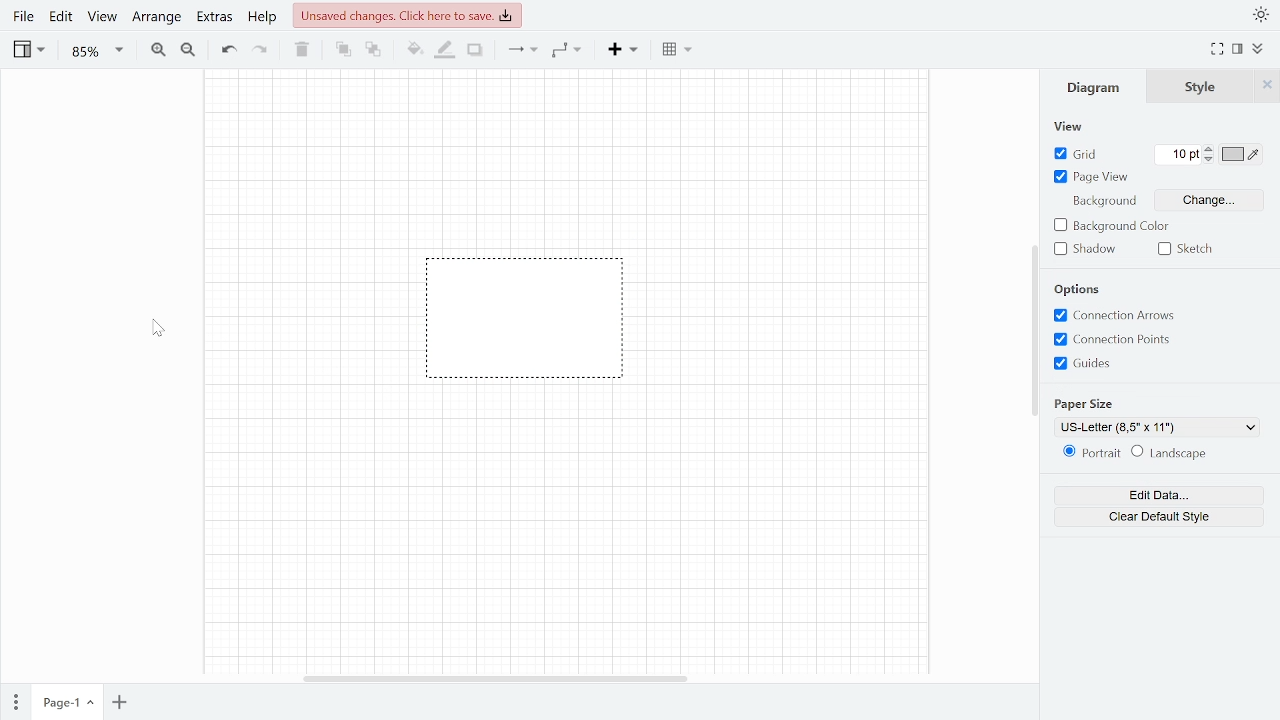 The height and width of the screenshot is (720, 1280). Describe the element at coordinates (262, 18) in the screenshot. I see `Help` at that location.